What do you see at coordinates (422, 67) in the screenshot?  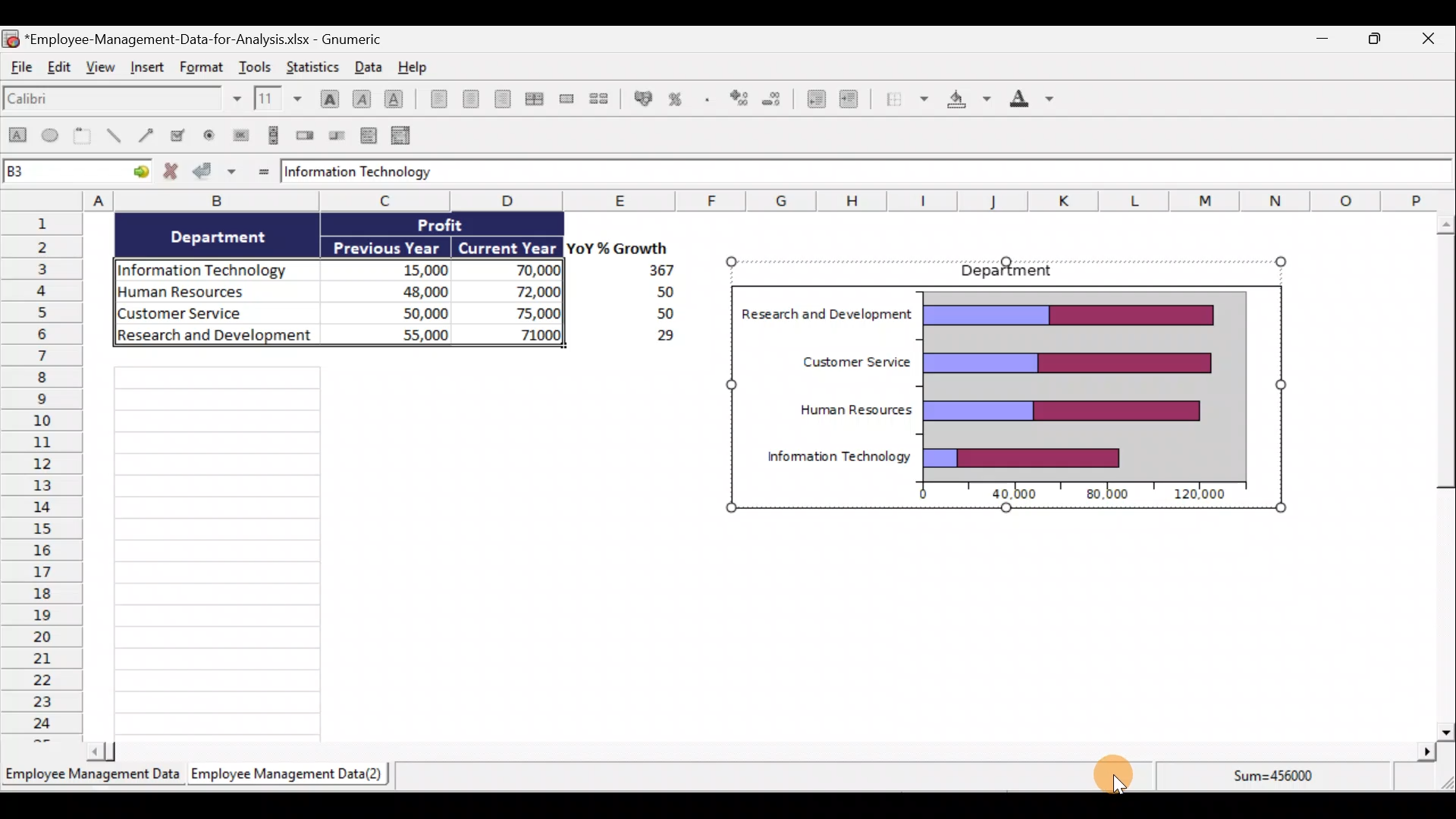 I see `Help` at bounding box center [422, 67].